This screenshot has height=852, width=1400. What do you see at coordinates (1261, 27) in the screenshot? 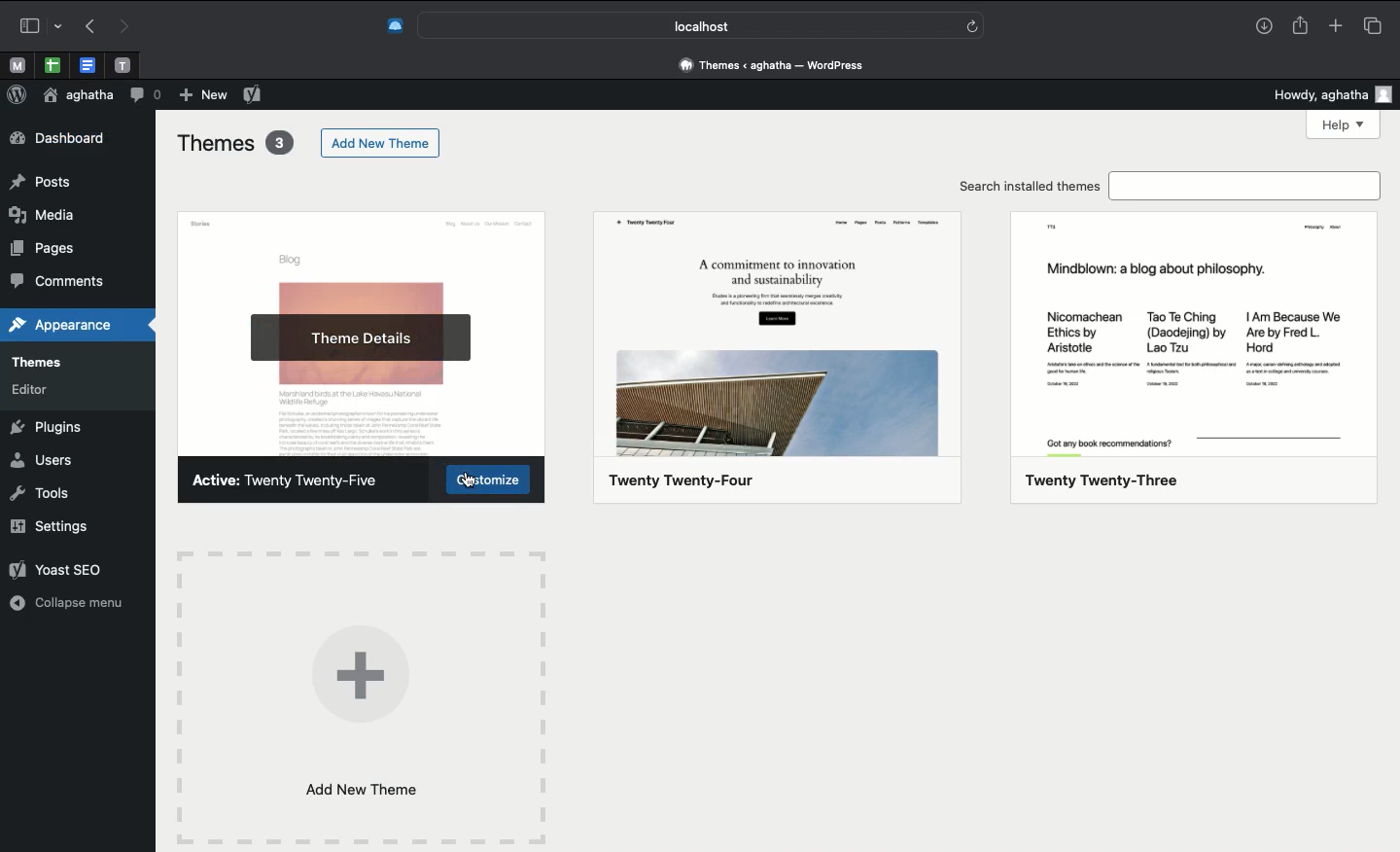
I see `Download` at bounding box center [1261, 27].